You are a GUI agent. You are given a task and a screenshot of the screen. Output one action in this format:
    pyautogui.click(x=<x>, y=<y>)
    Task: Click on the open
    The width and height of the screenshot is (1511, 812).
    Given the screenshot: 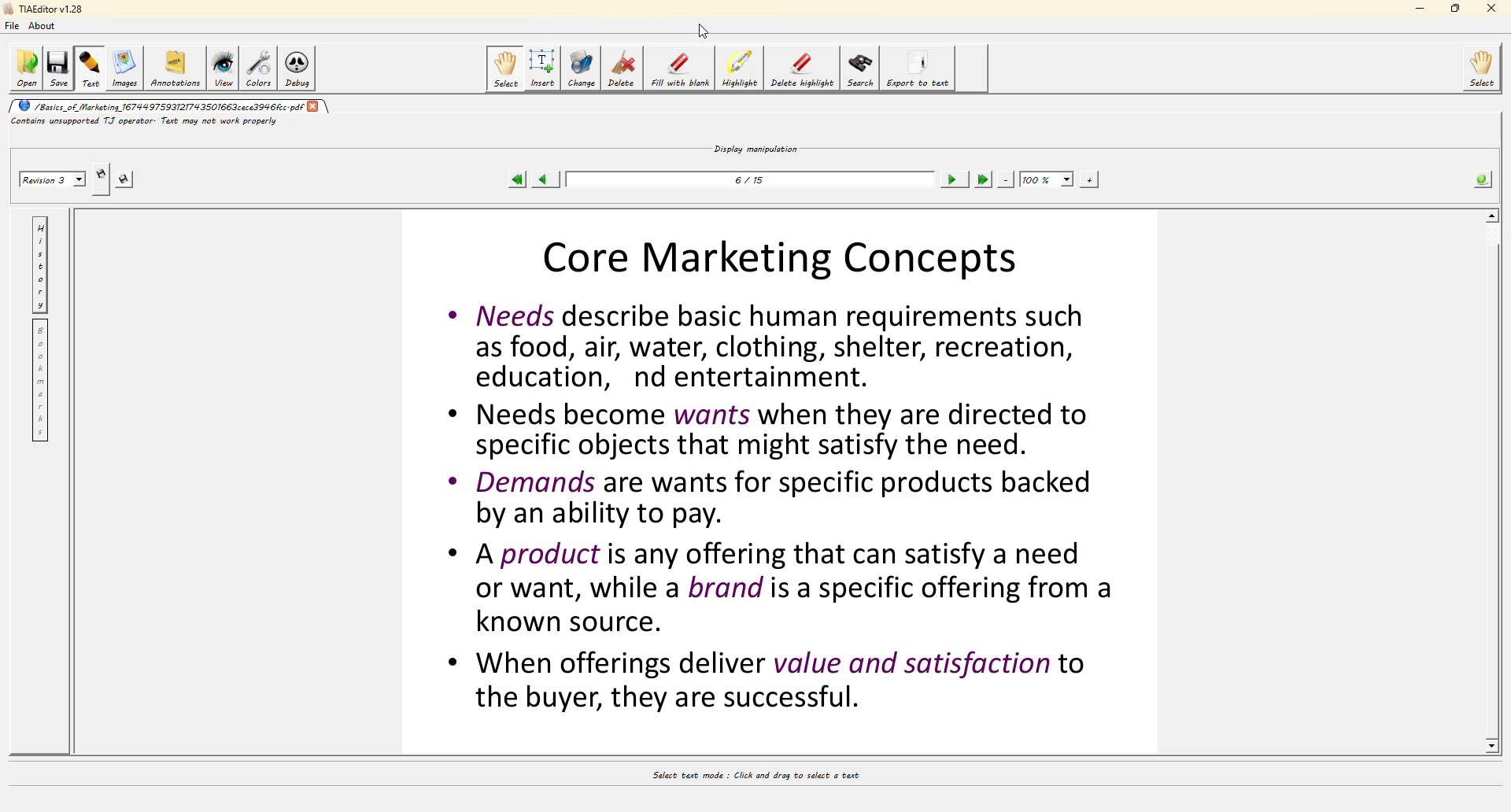 What is the action you would take?
    pyautogui.click(x=24, y=68)
    